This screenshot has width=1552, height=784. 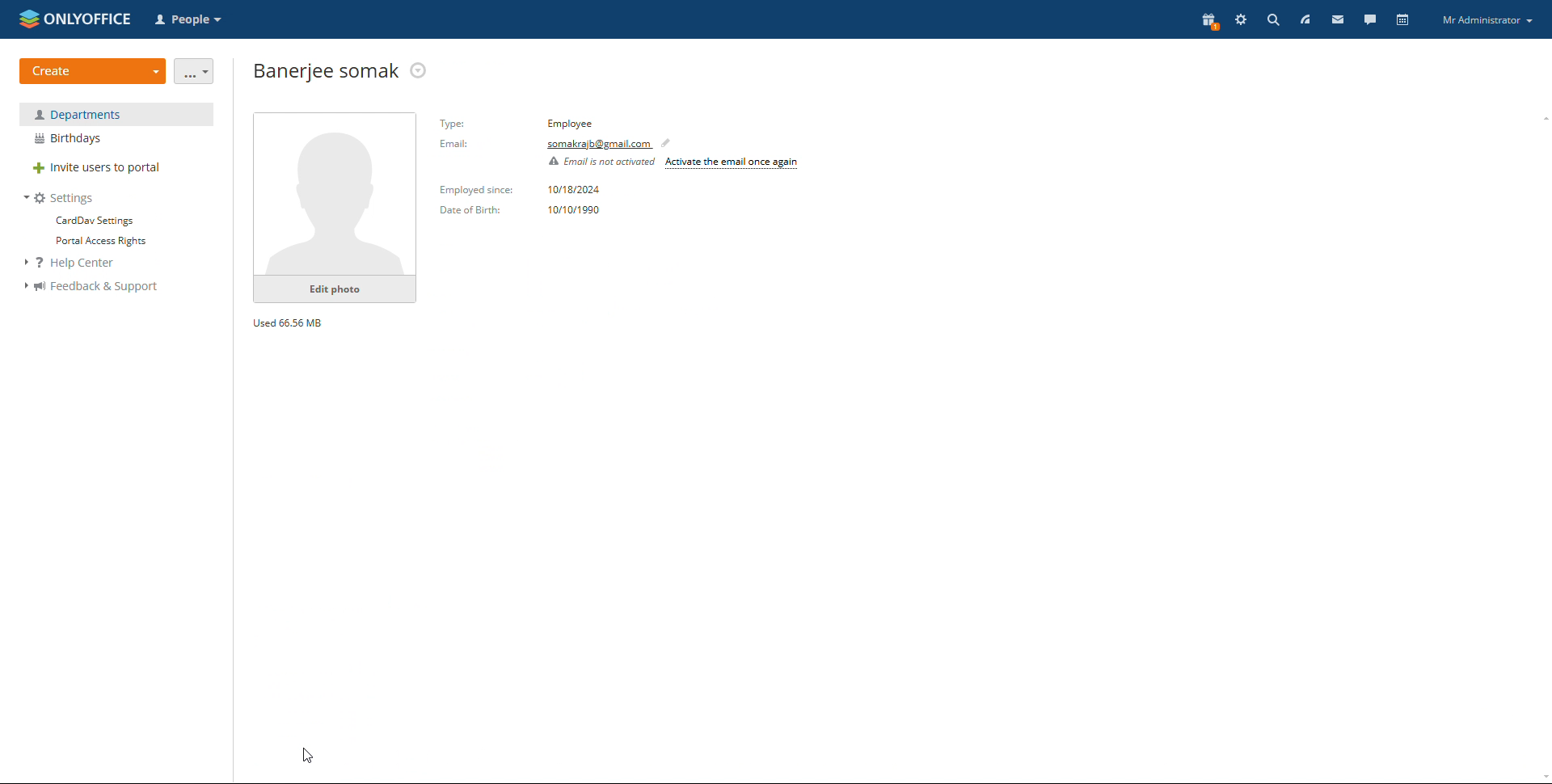 What do you see at coordinates (1304, 19) in the screenshot?
I see `feed` at bounding box center [1304, 19].